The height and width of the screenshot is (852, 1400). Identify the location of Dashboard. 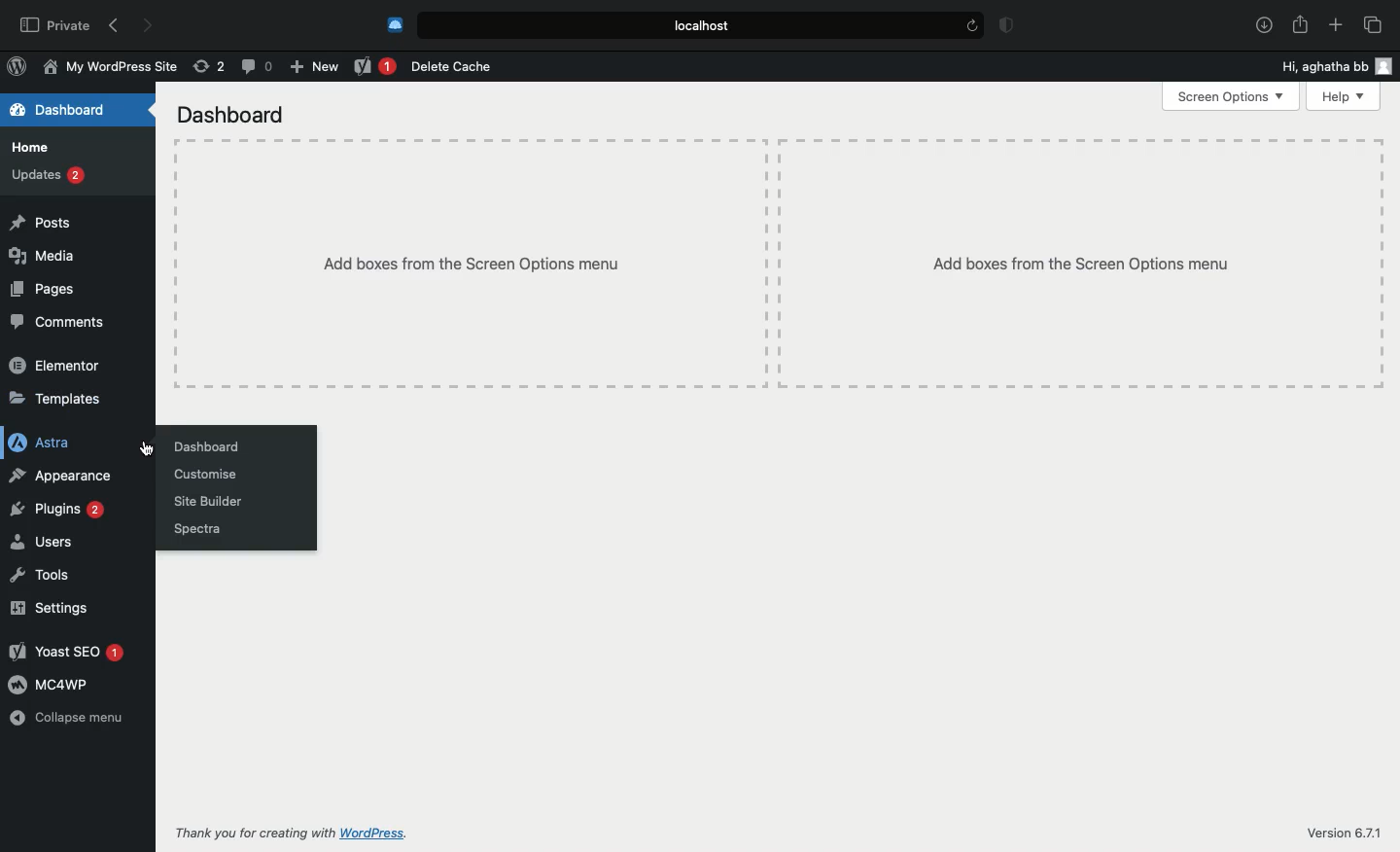
(62, 111).